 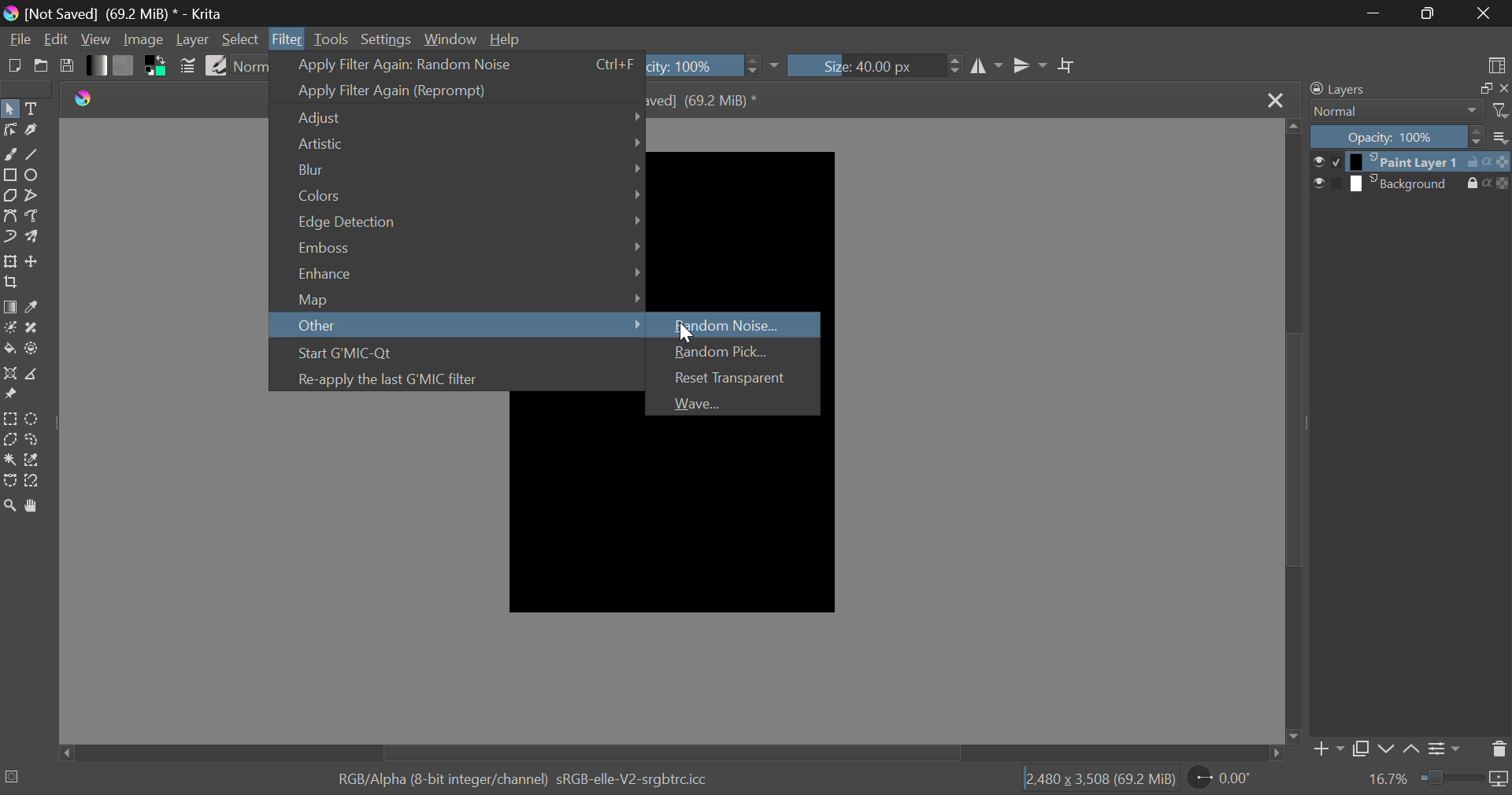 I want to click on progress wheel, so click(x=14, y=776).